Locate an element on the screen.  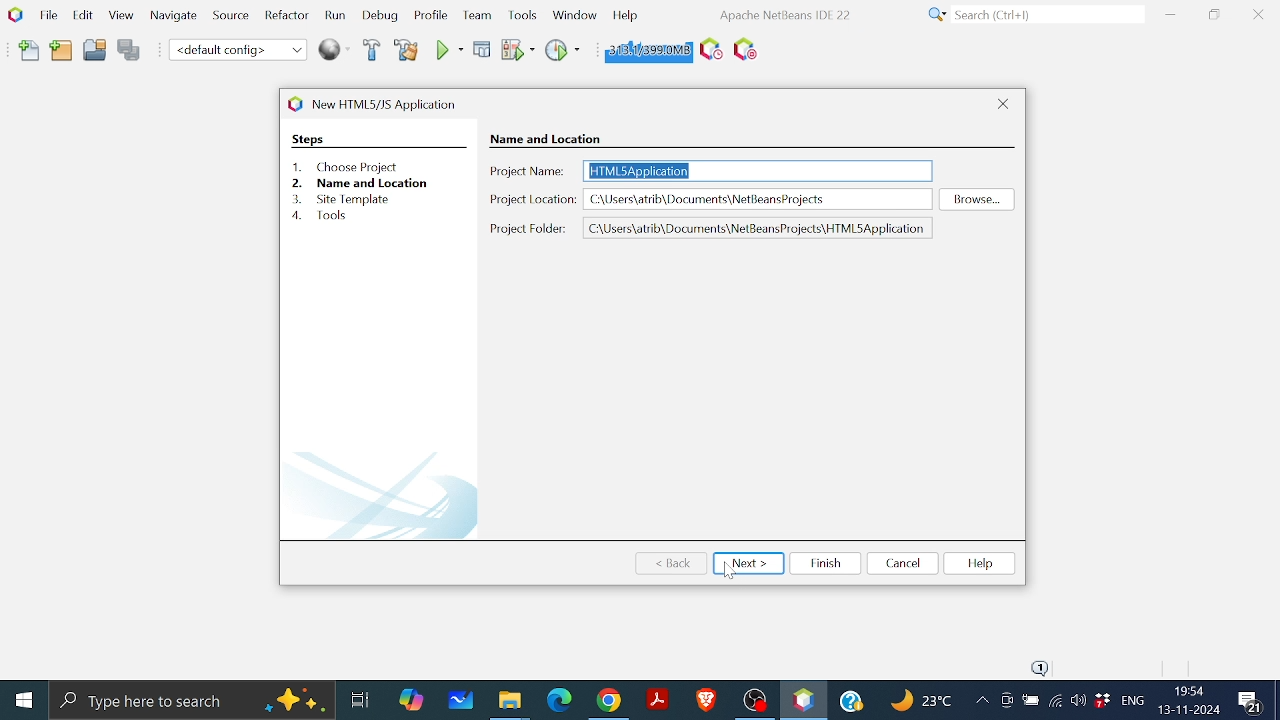
window is located at coordinates (574, 13).